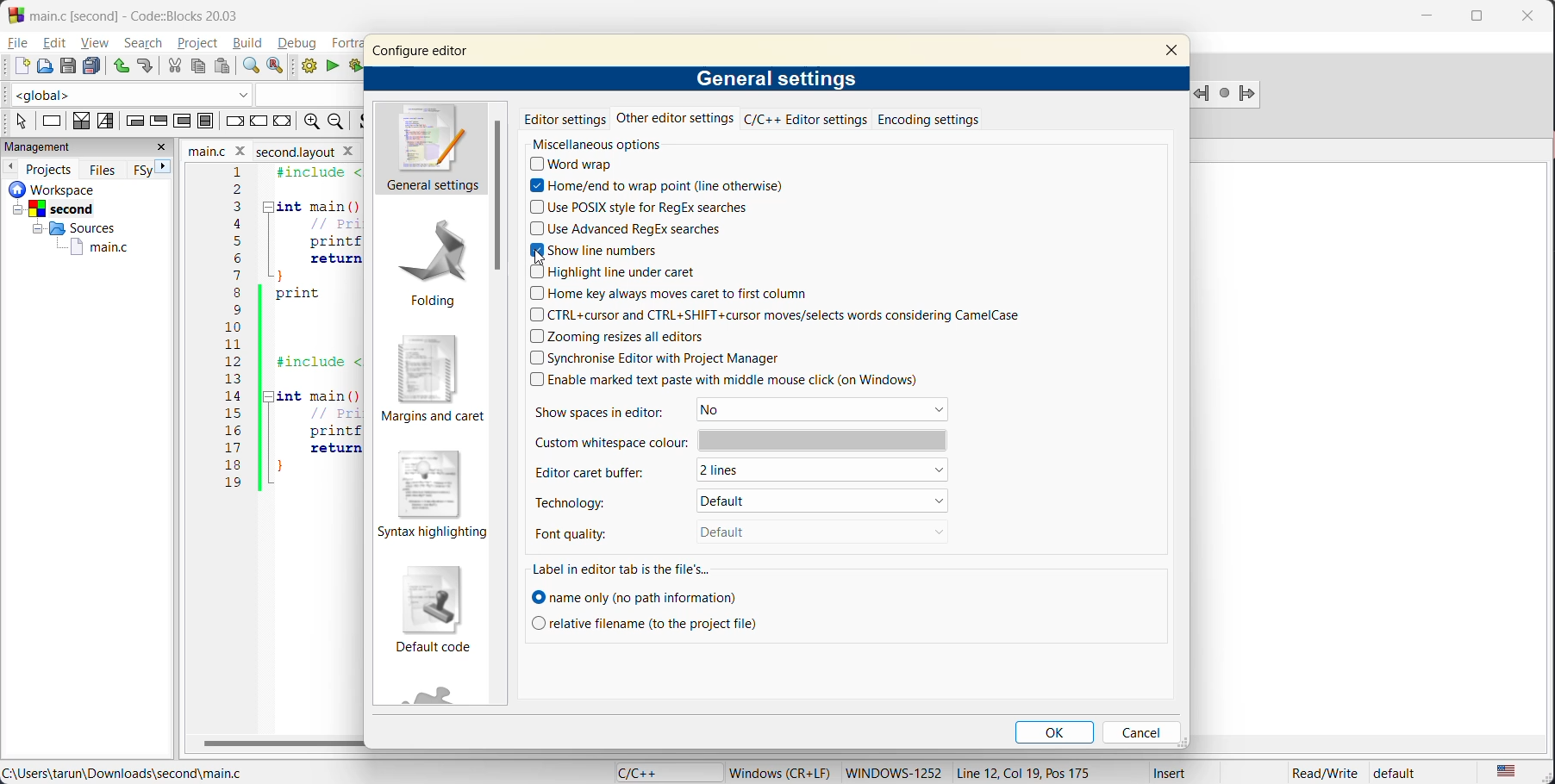 The width and height of the screenshot is (1555, 784). I want to click on Default, so click(805, 532).